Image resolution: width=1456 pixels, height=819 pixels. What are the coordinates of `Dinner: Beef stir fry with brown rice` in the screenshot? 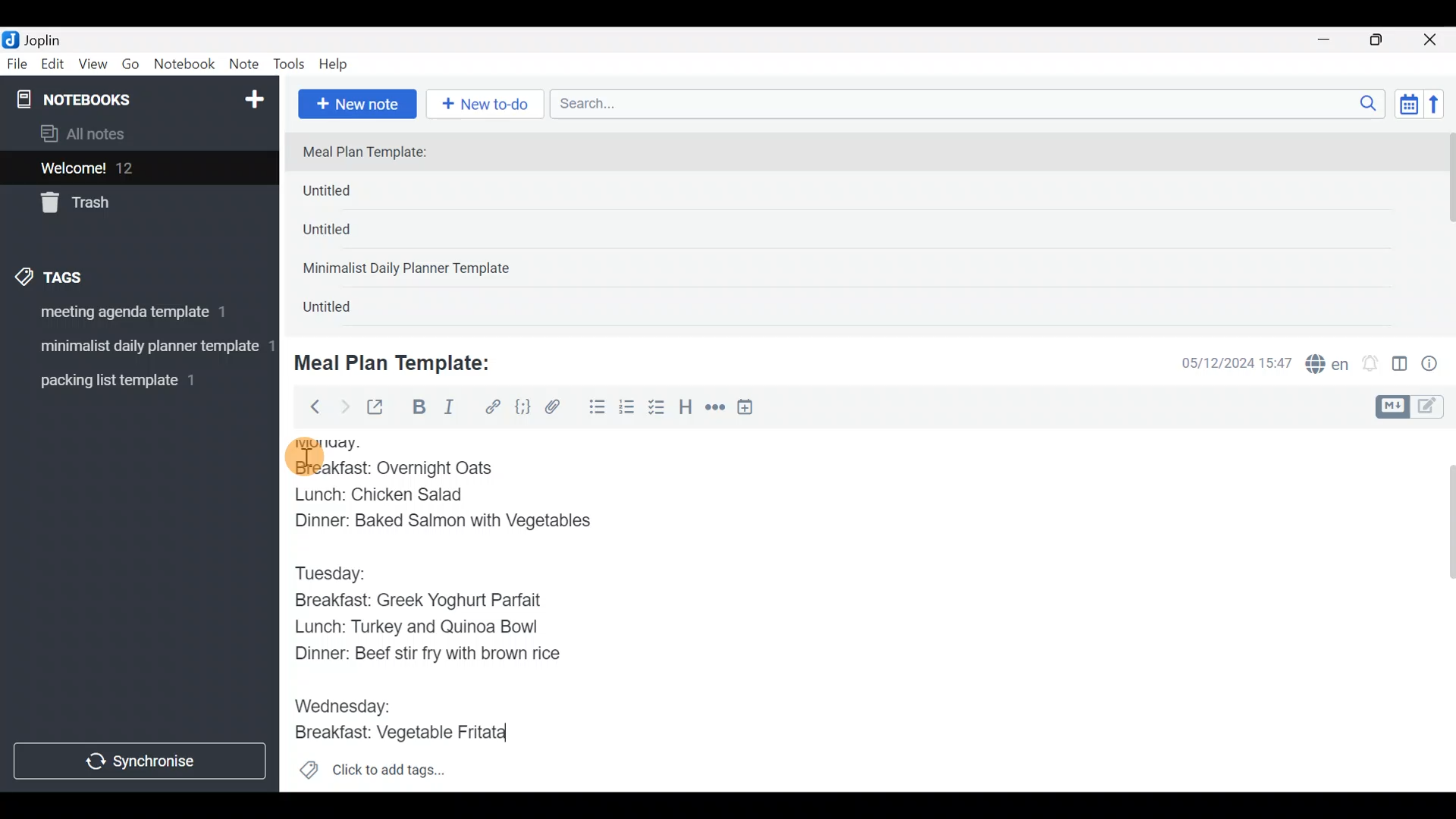 It's located at (430, 655).